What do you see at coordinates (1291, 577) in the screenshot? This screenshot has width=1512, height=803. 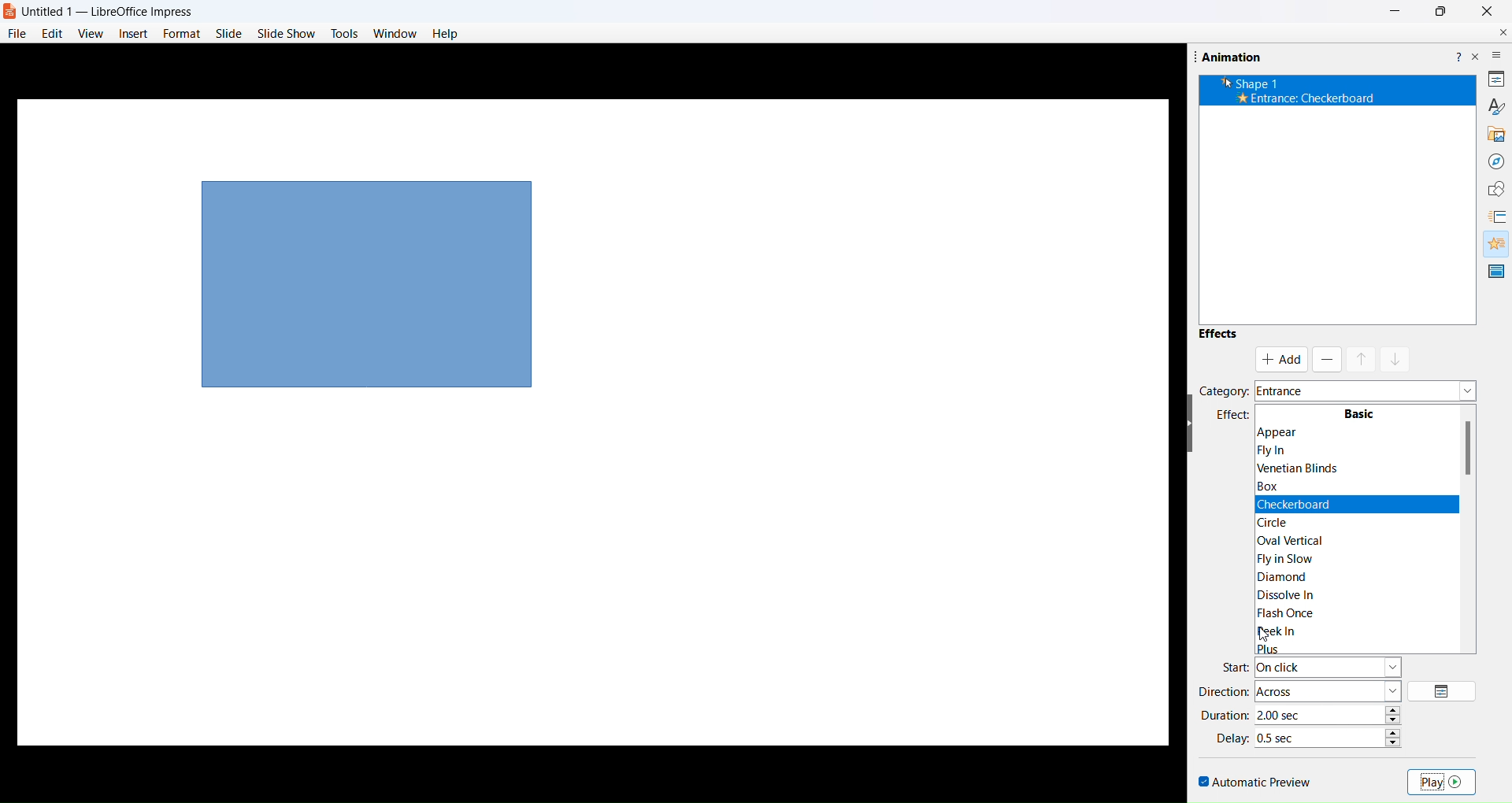 I see `diamond` at bounding box center [1291, 577].